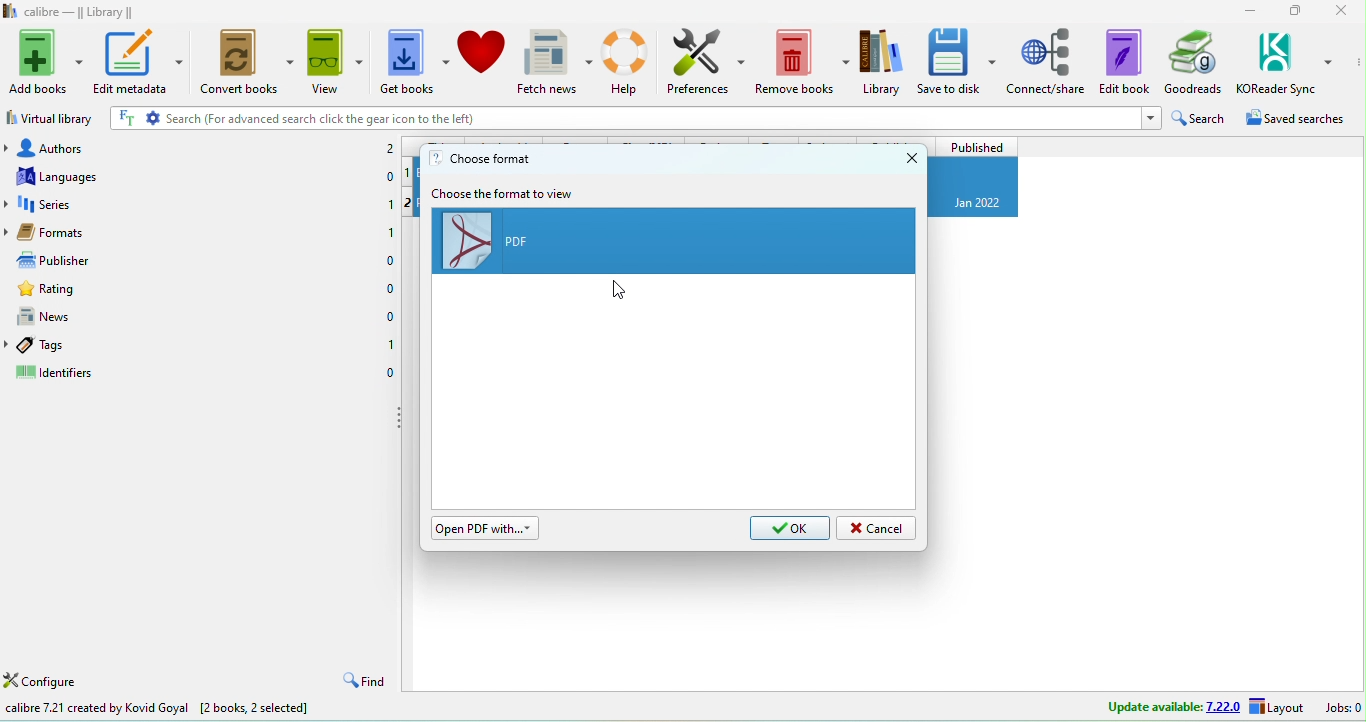 The height and width of the screenshot is (722, 1366). What do you see at coordinates (79, 176) in the screenshot?
I see `languages` at bounding box center [79, 176].